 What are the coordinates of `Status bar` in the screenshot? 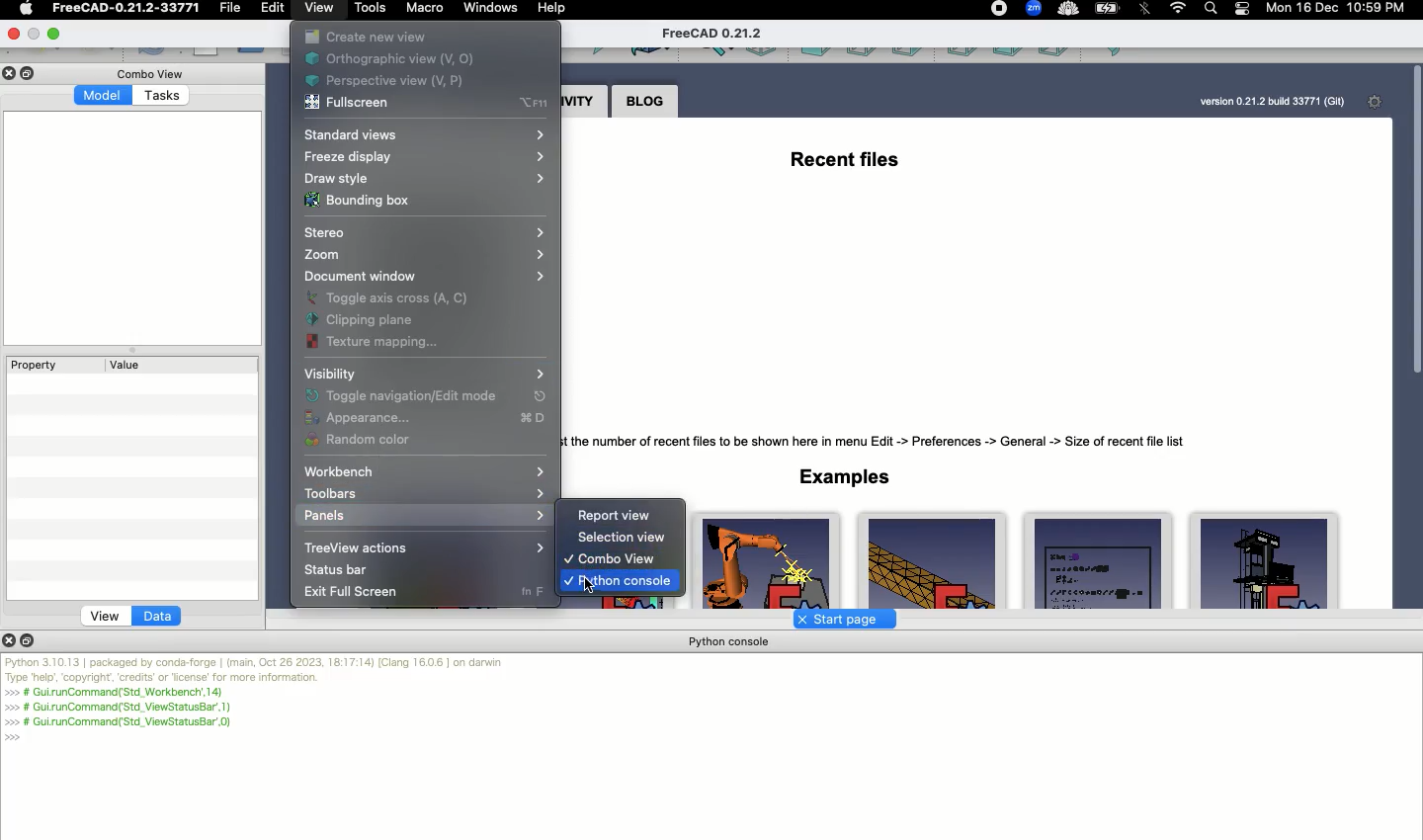 It's located at (336, 570).